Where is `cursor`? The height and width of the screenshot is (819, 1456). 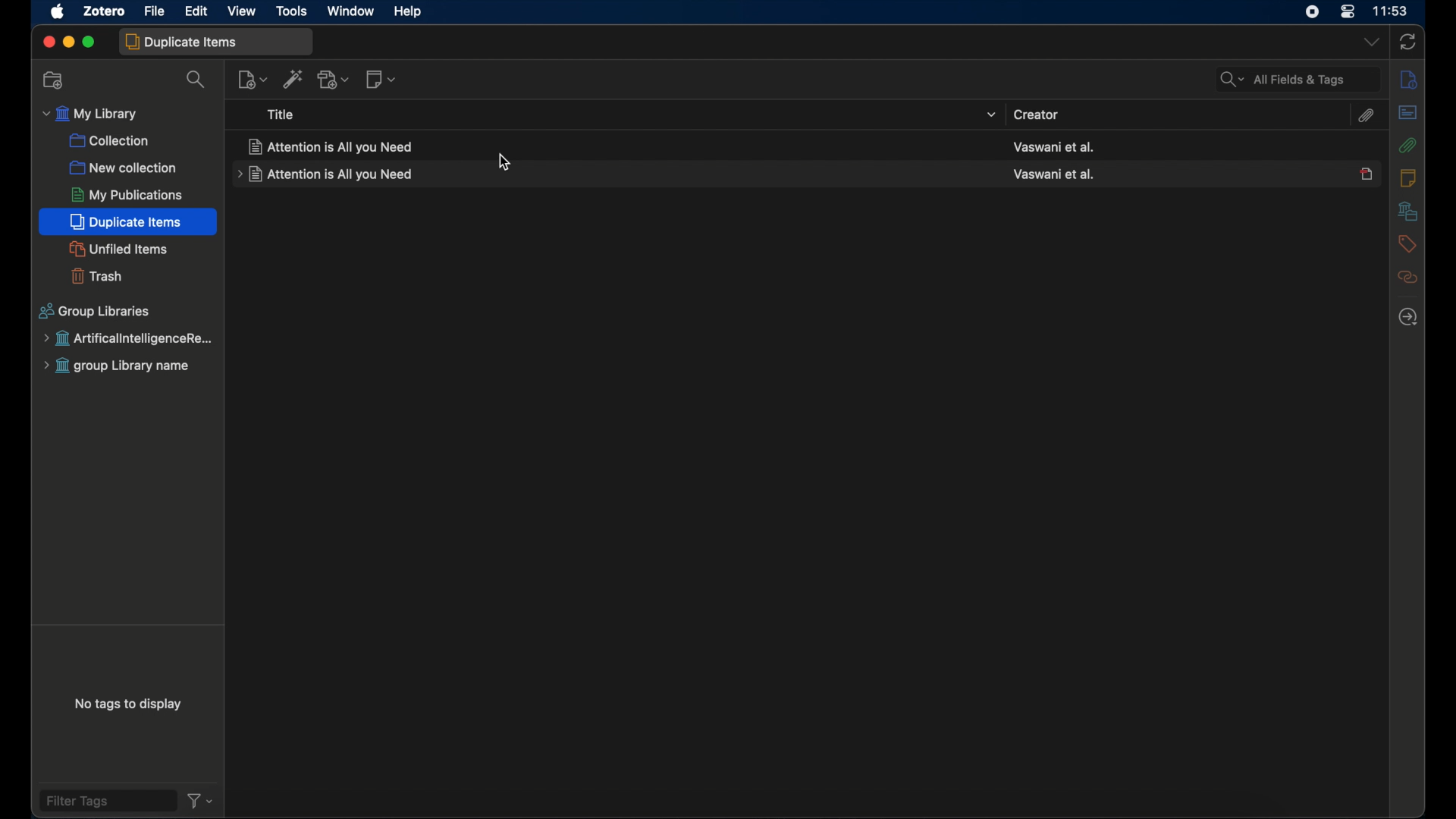 cursor is located at coordinates (504, 164).